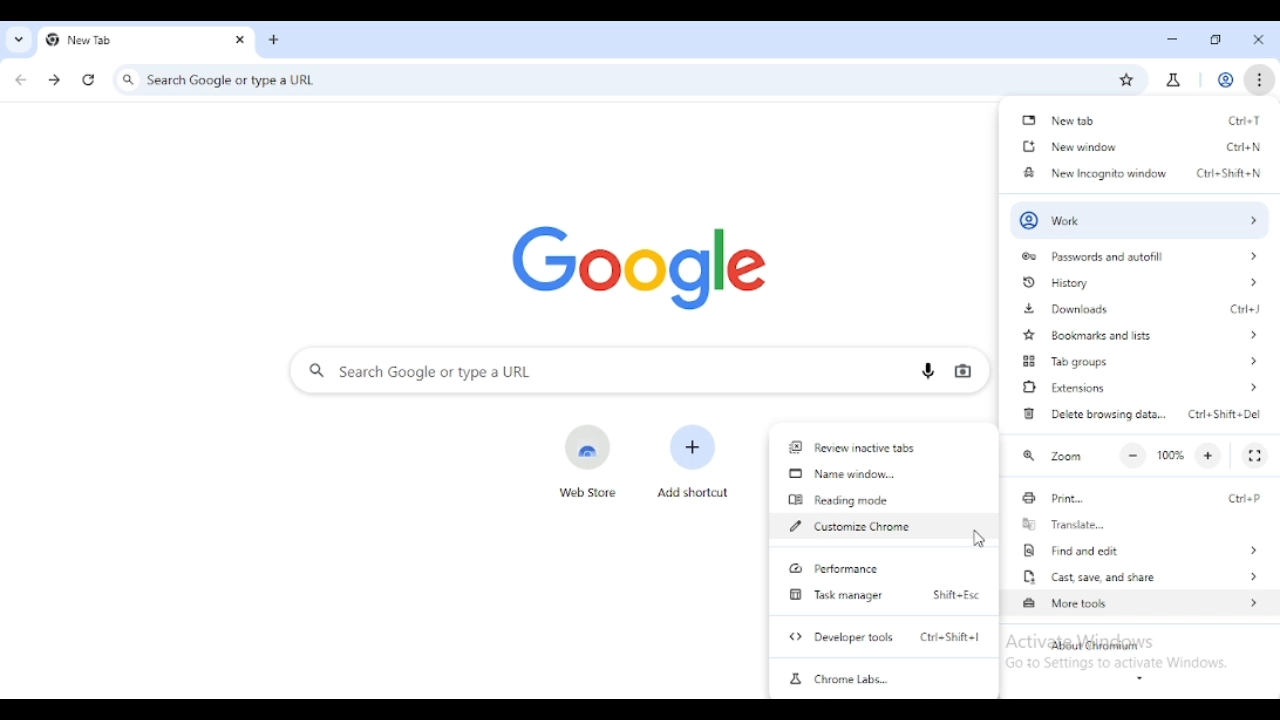  I want to click on shortcut for delete browsing data, so click(1224, 415).